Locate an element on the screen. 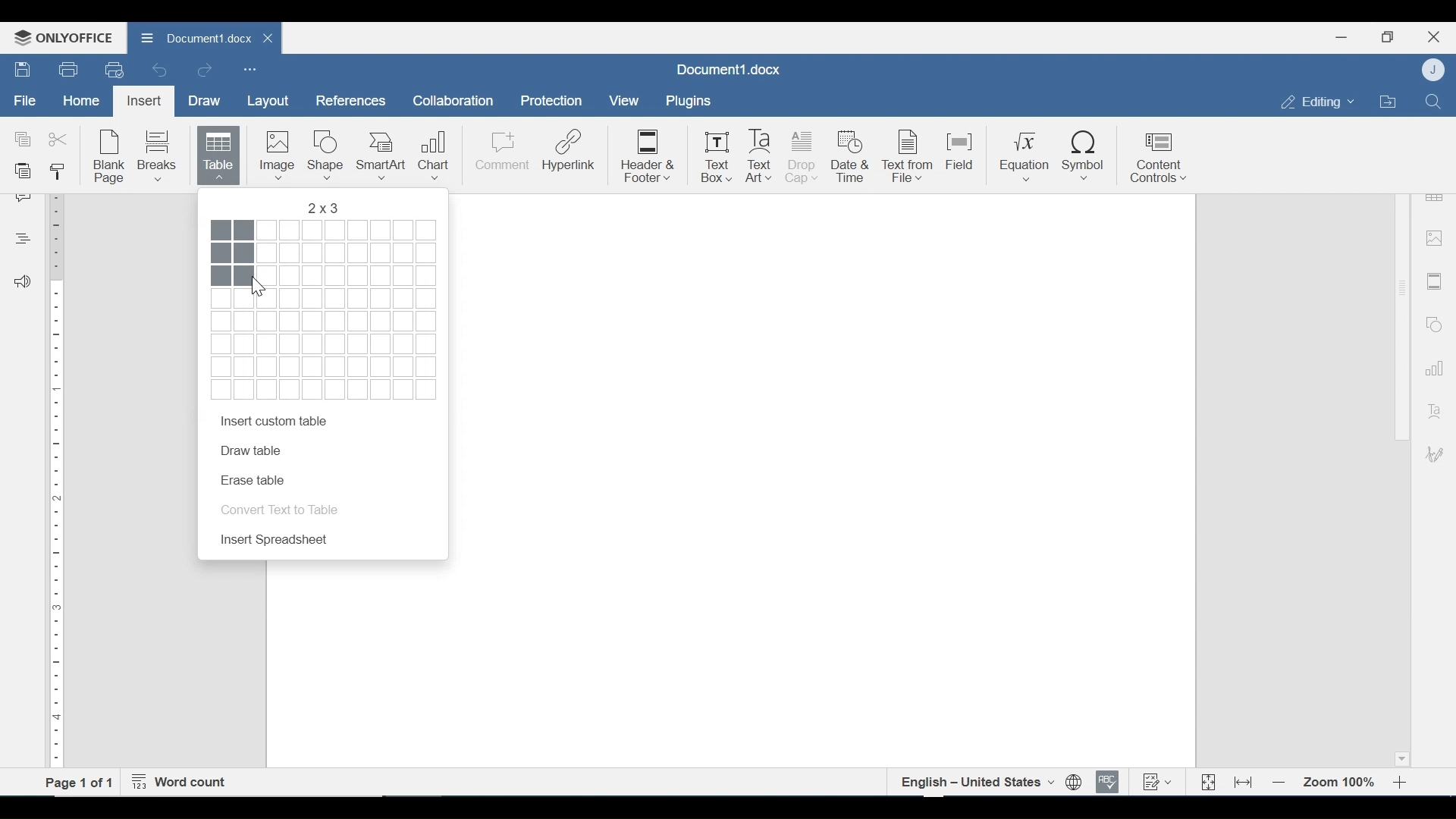  Layout is located at coordinates (268, 102).